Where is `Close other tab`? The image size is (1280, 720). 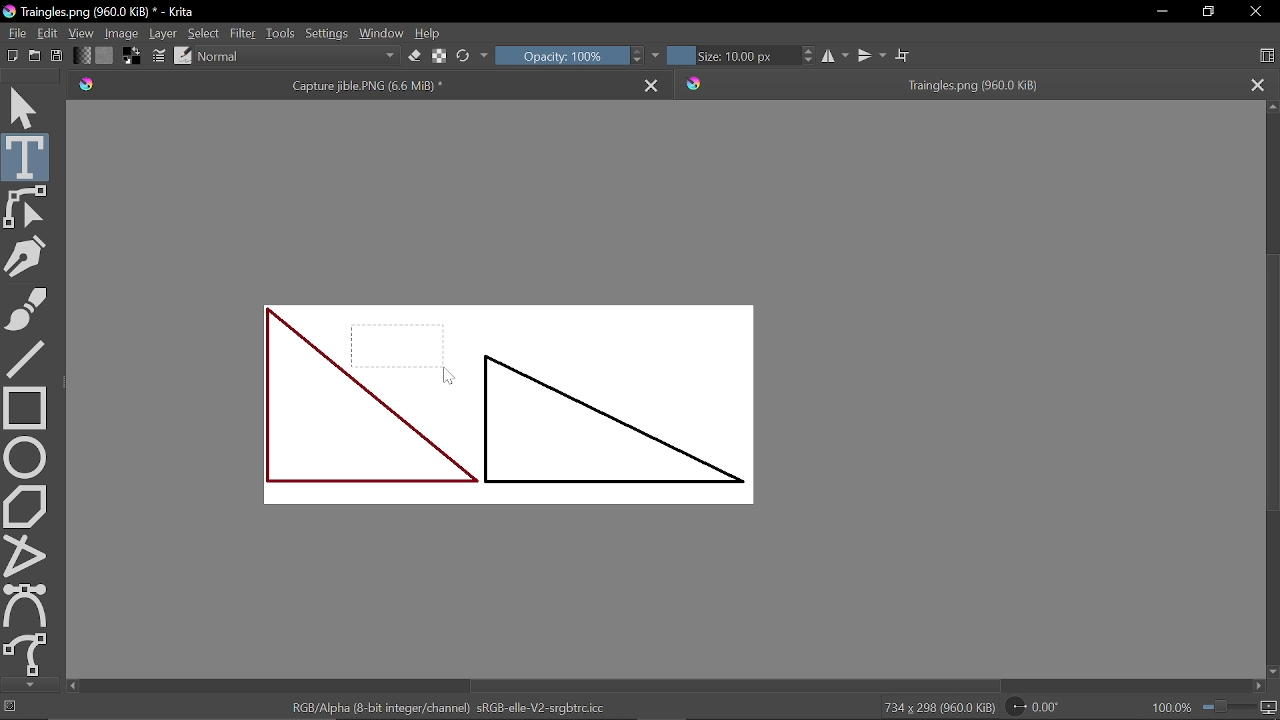
Close other tab is located at coordinates (1257, 84).